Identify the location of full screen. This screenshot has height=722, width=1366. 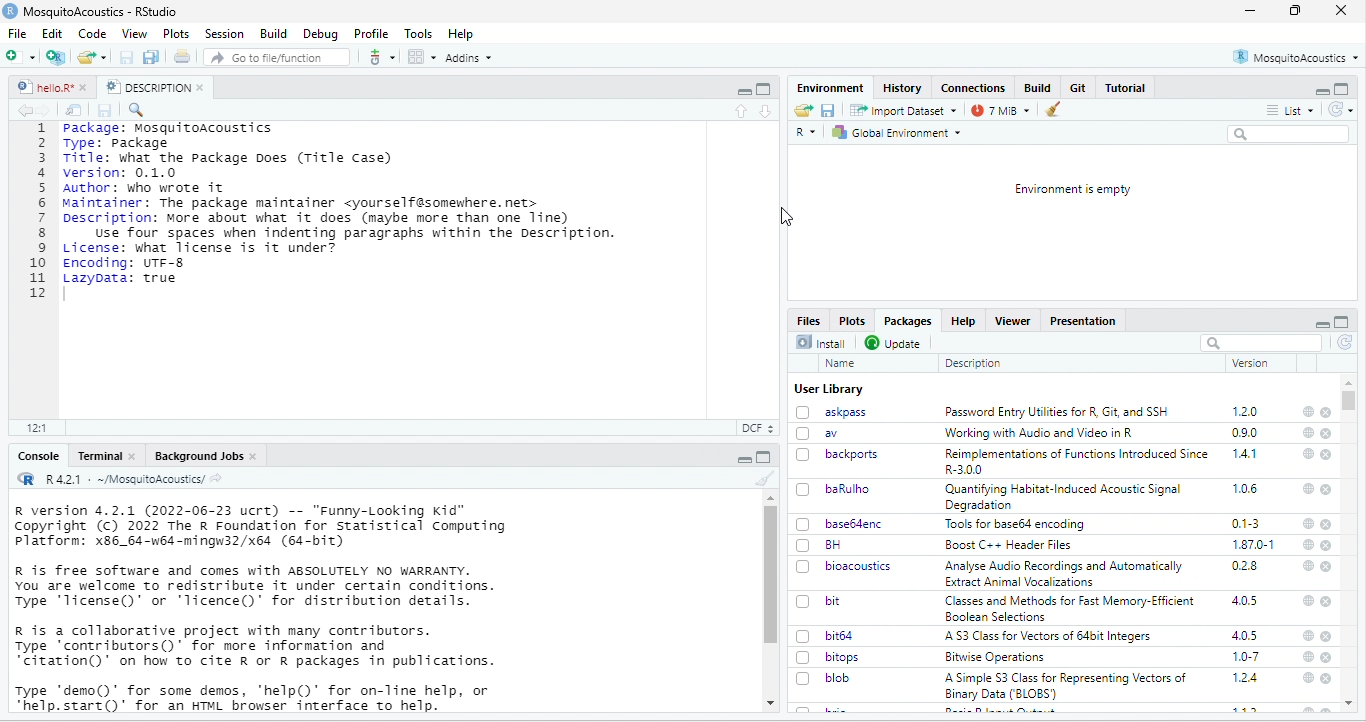
(765, 457).